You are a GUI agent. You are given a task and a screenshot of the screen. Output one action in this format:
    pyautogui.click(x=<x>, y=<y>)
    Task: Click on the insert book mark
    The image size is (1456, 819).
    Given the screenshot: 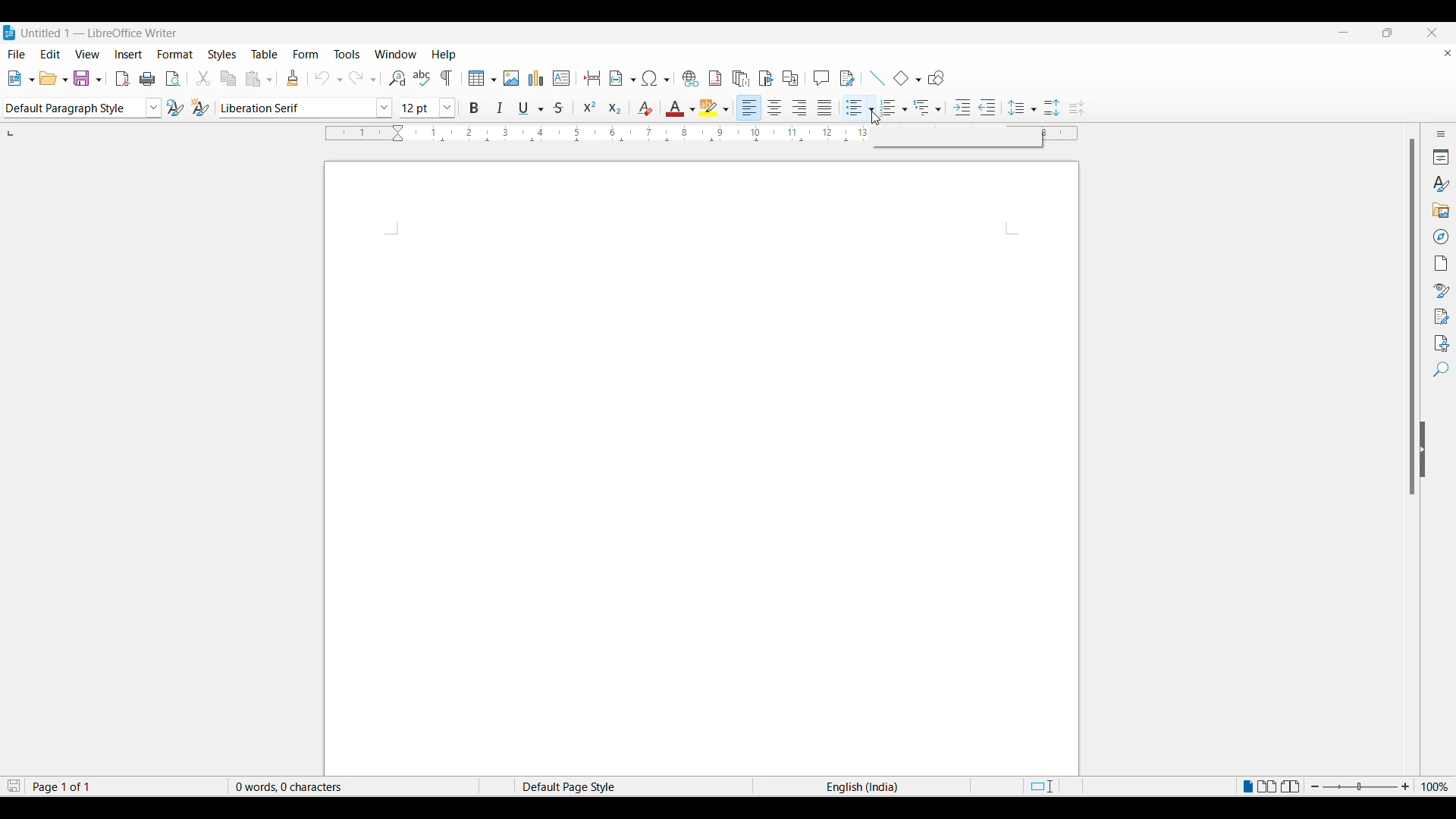 What is the action you would take?
    pyautogui.click(x=767, y=78)
    